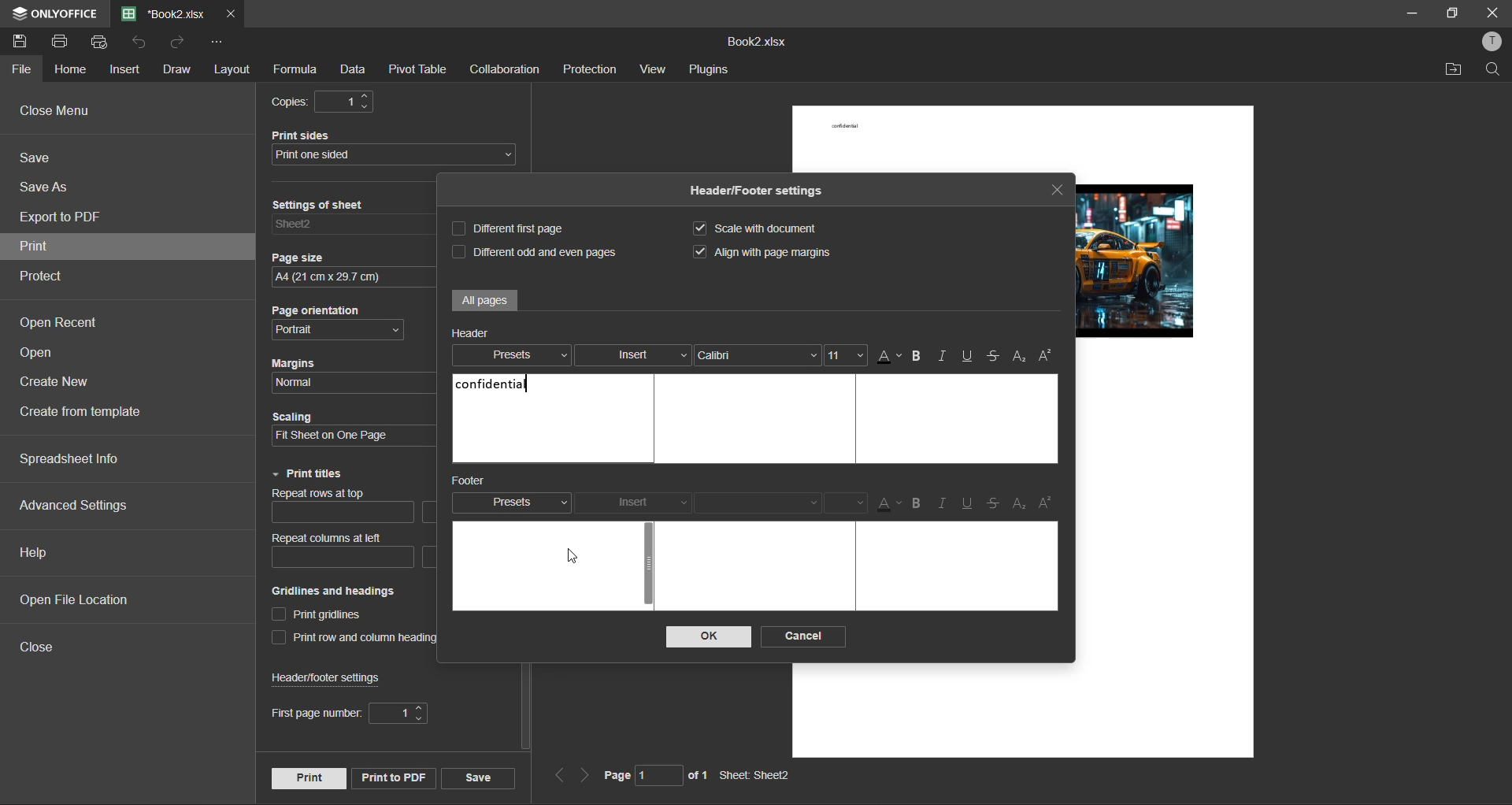 The image size is (1512, 805). What do you see at coordinates (943, 504) in the screenshot?
I see `italic` at bounding box center [943, 504].